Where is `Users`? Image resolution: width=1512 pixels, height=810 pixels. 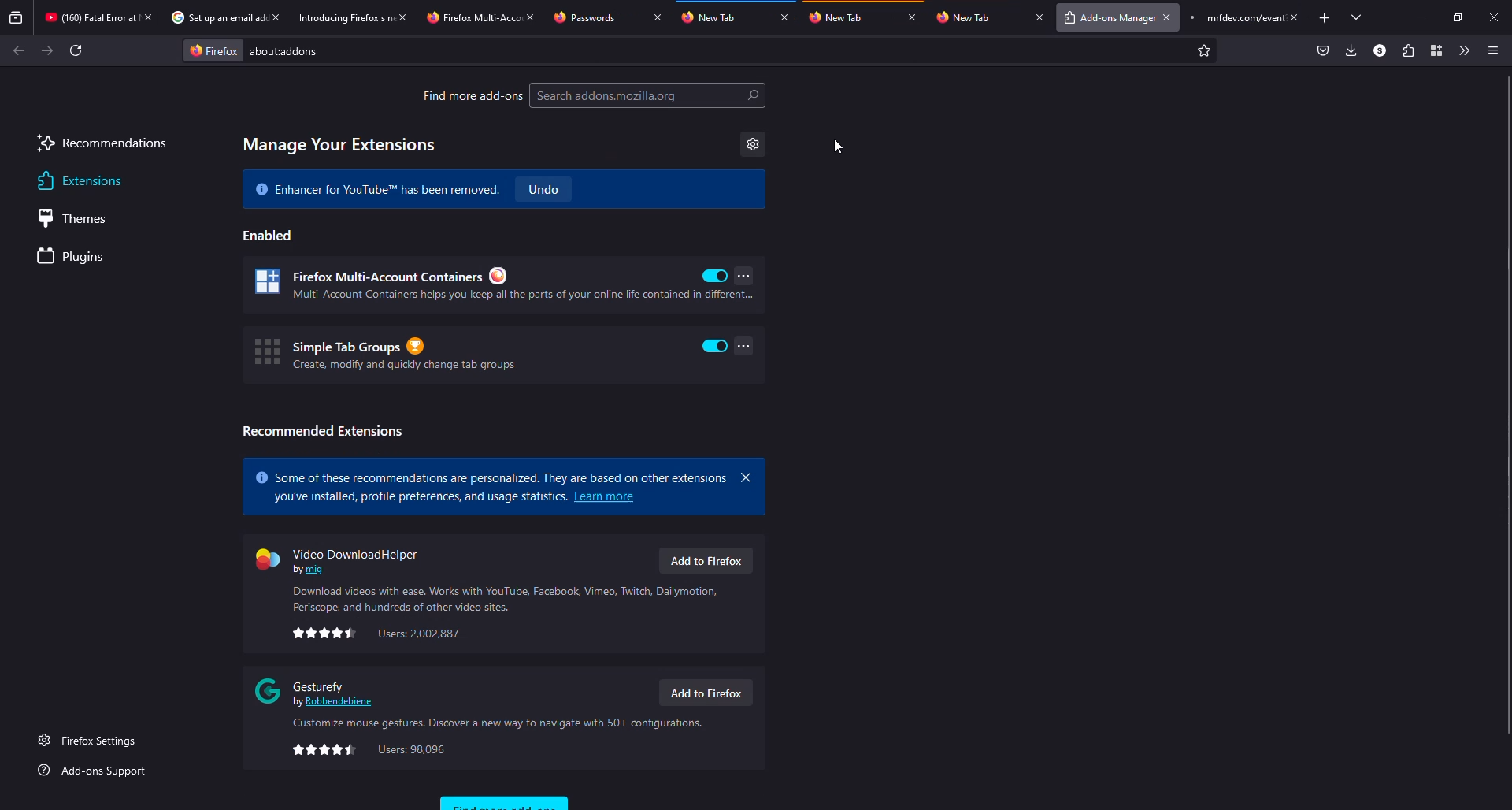
Users is located at coordinates (411, 749).